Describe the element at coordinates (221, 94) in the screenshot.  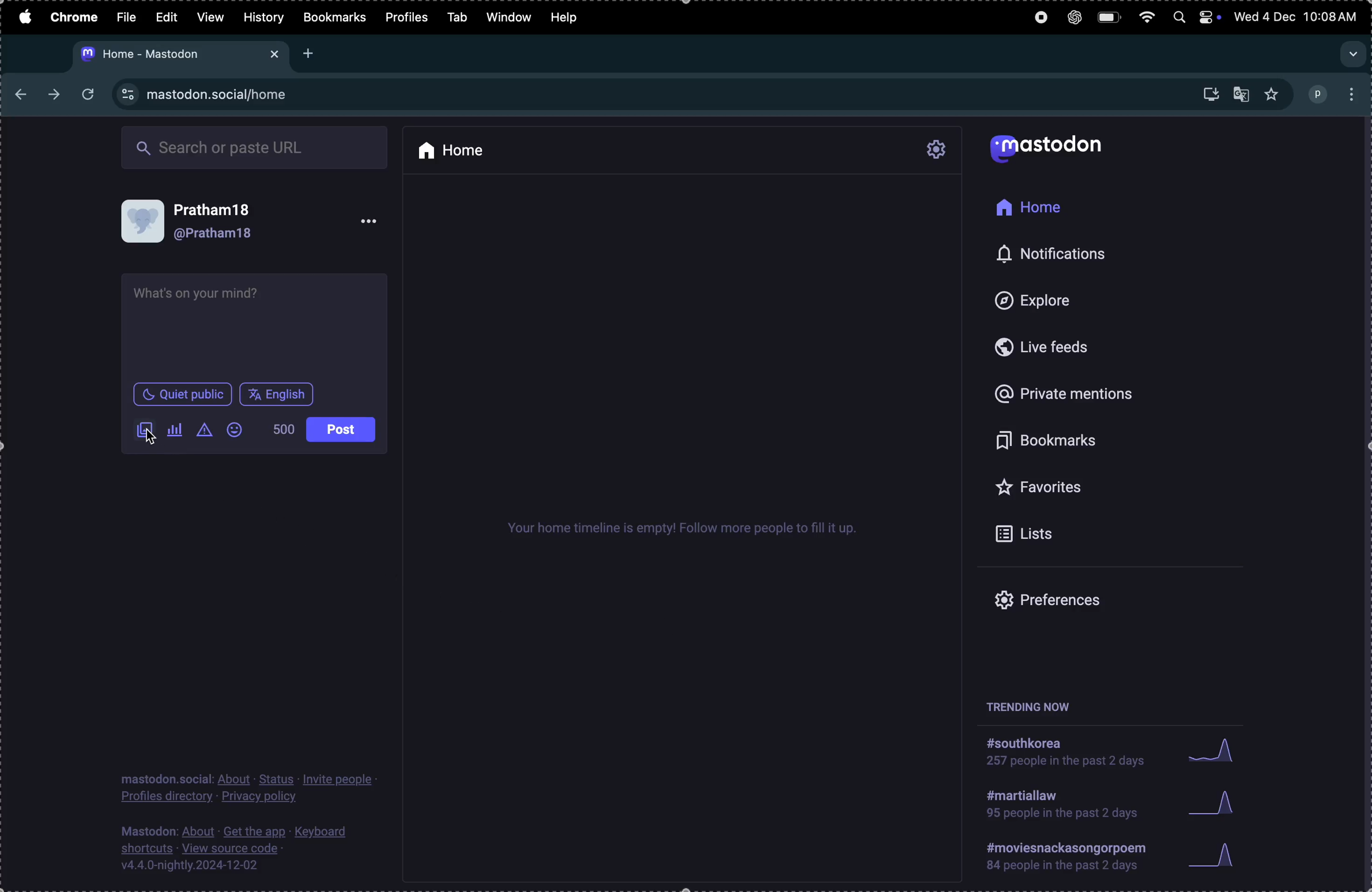
I see `Mastdon url` at that location.